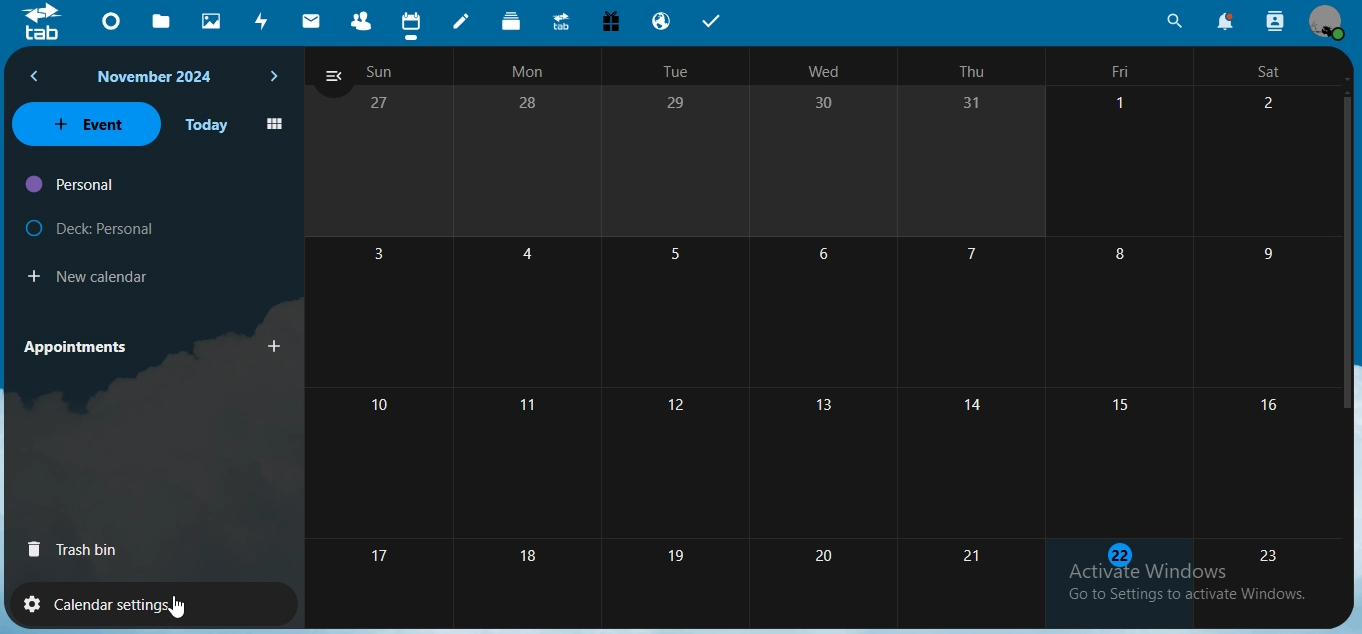  What do you see at coordinates (1174, 21) in the screenshot?
I see `search` at bounding box center [1174, 21].